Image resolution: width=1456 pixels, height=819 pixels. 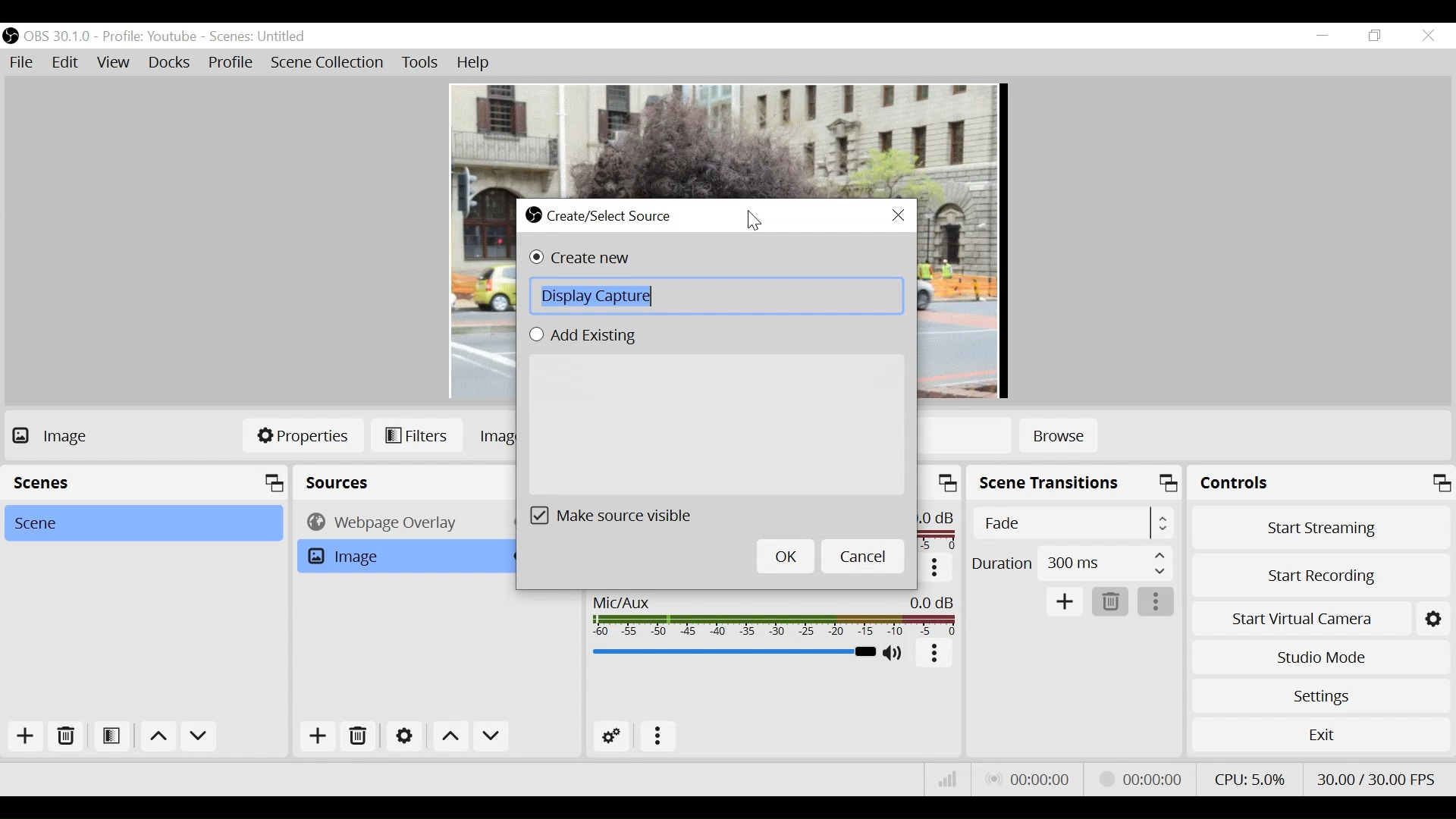 What do you see at coordinates (113, 63) in the screenshot?
I see `View` at bounding box center [113, 63].